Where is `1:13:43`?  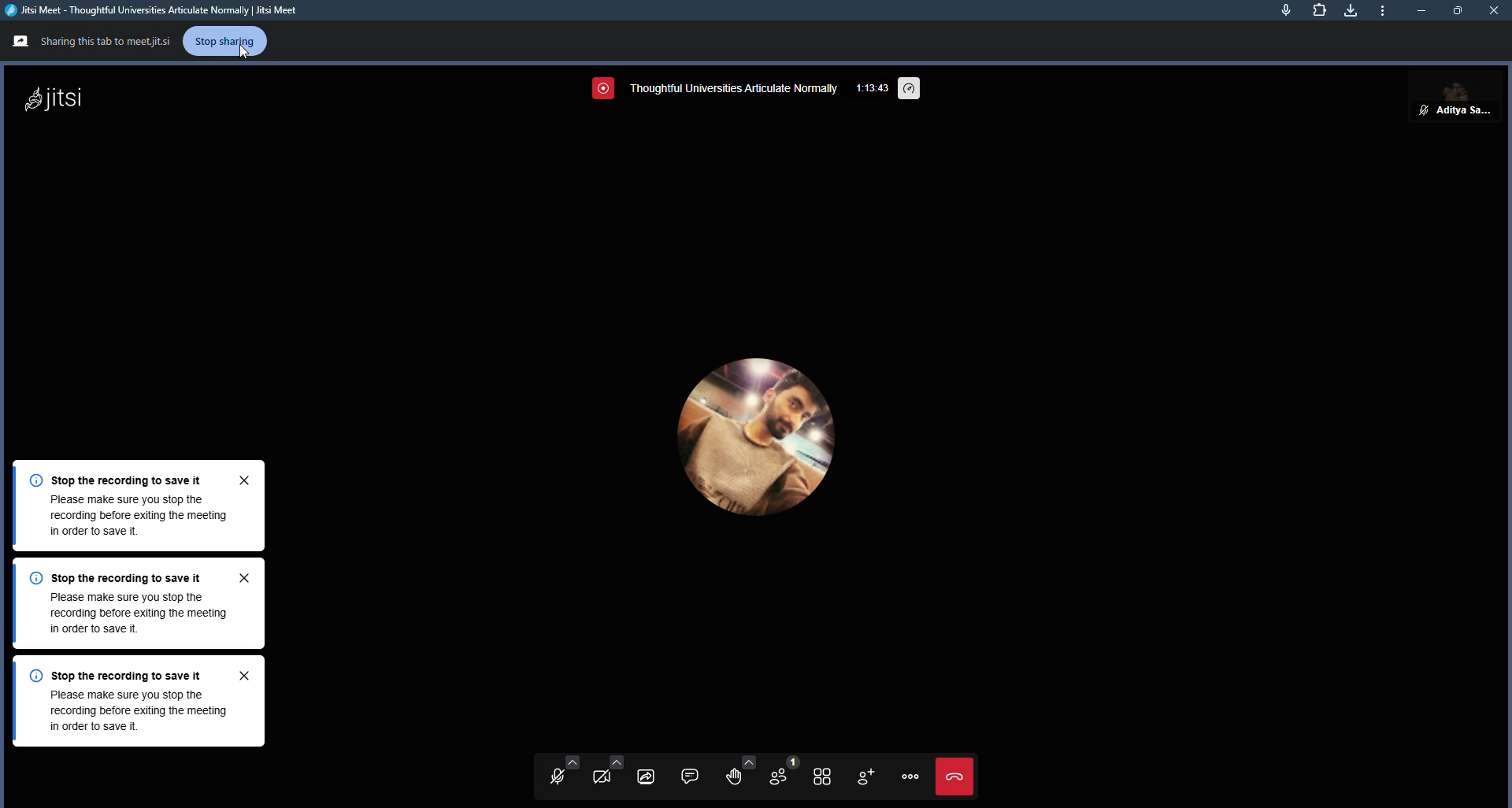
1:13:43 is located at coordinates (873, 87).